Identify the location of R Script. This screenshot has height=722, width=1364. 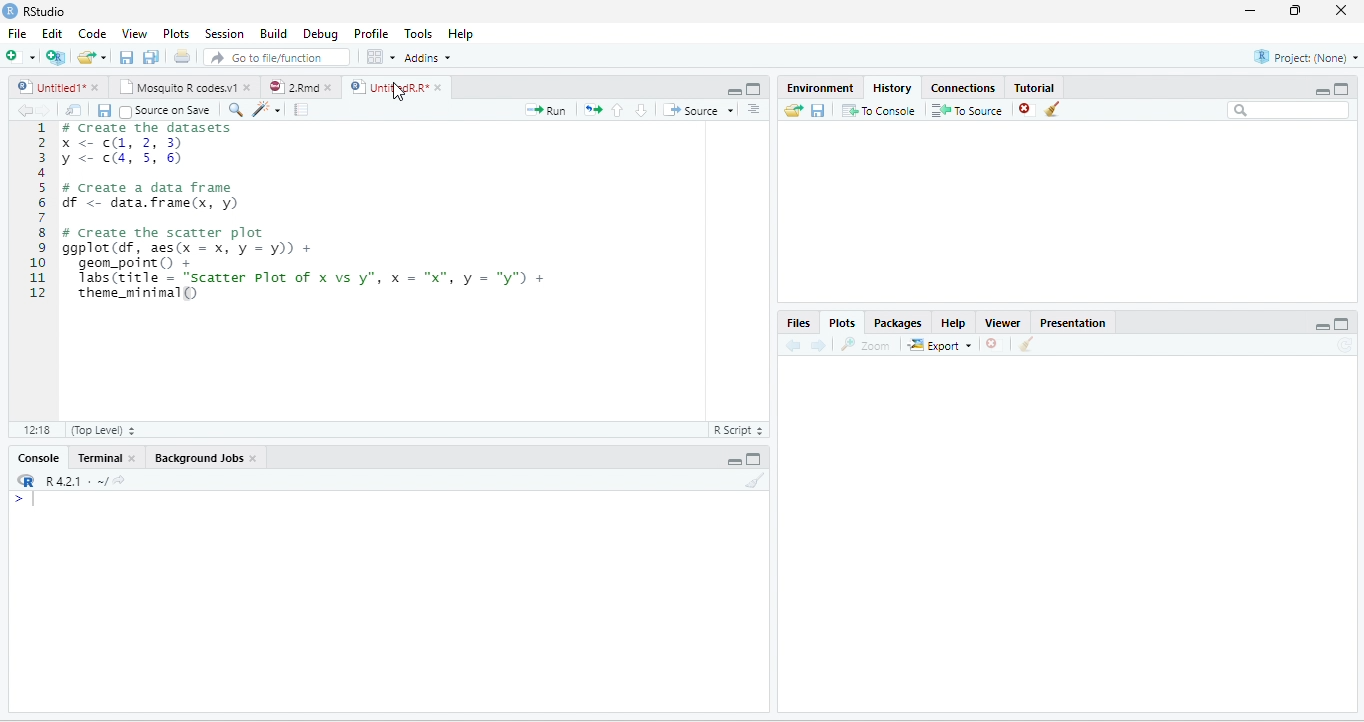
(740, 430).